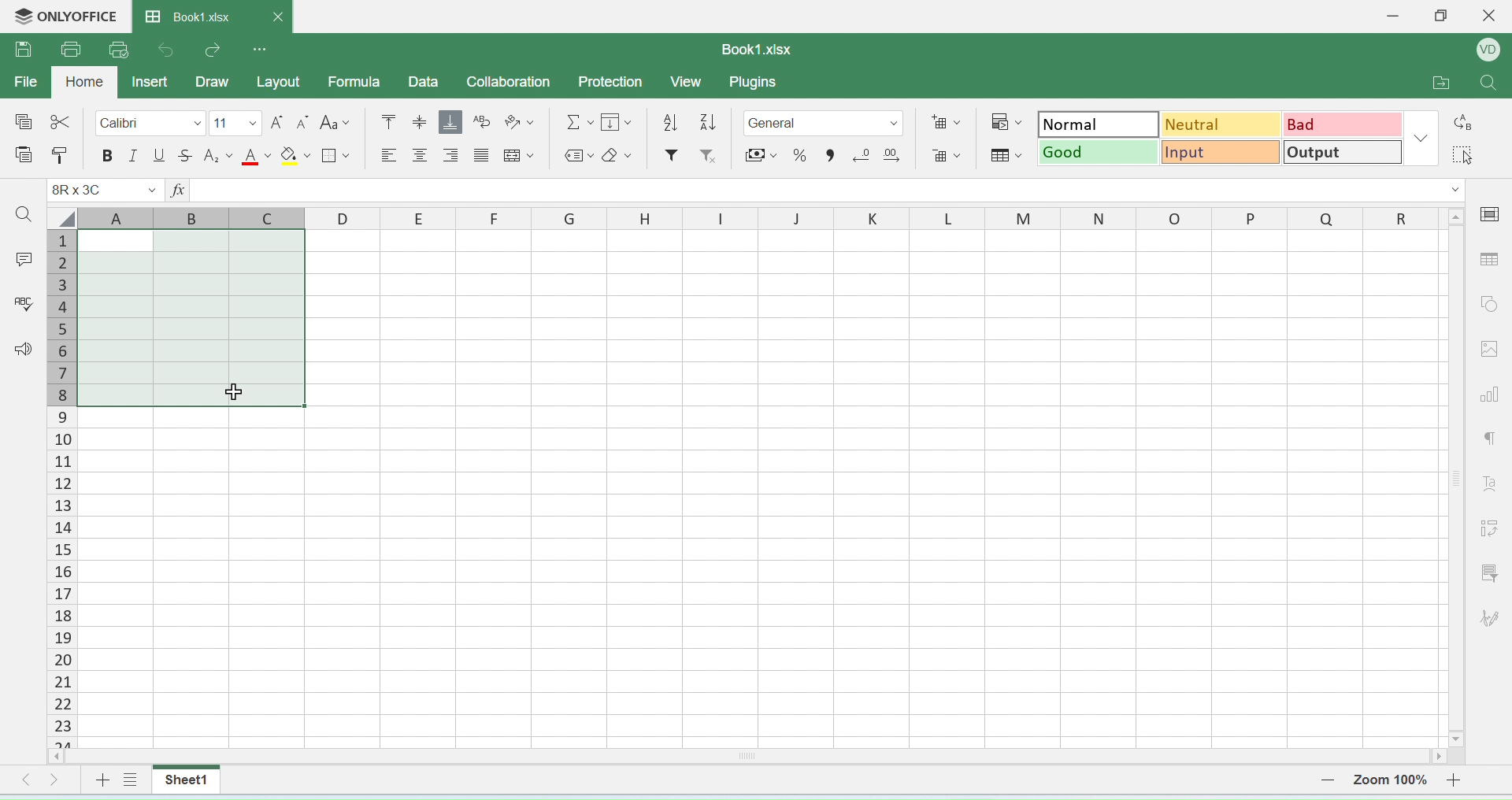  I want to click on remove filter, so click(710, 154).